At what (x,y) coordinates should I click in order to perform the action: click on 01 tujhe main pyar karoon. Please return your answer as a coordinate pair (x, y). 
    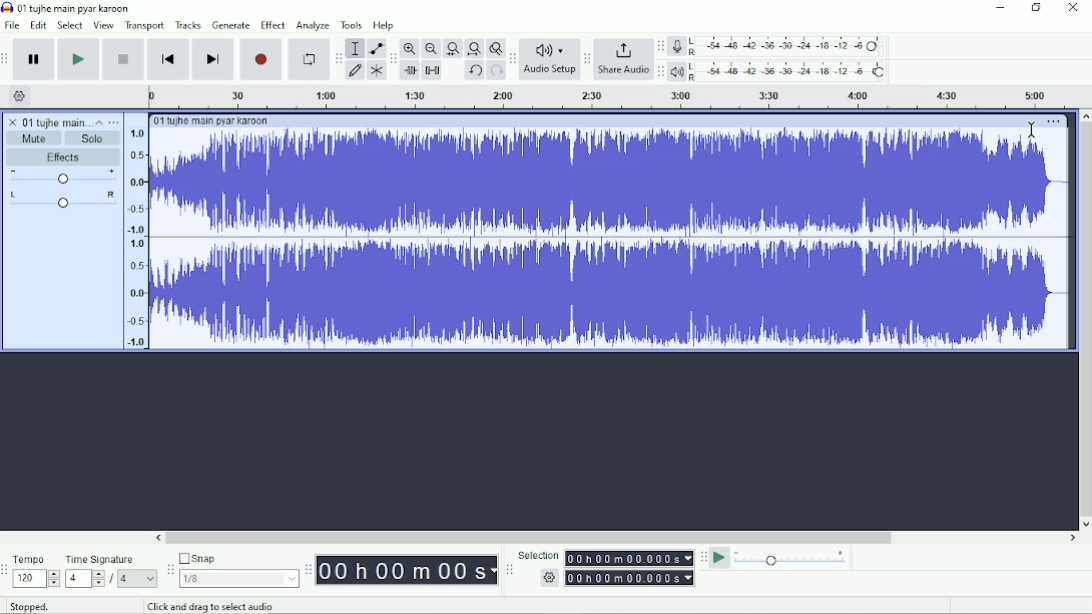
    Looking at the image, I should click on (219, 121).